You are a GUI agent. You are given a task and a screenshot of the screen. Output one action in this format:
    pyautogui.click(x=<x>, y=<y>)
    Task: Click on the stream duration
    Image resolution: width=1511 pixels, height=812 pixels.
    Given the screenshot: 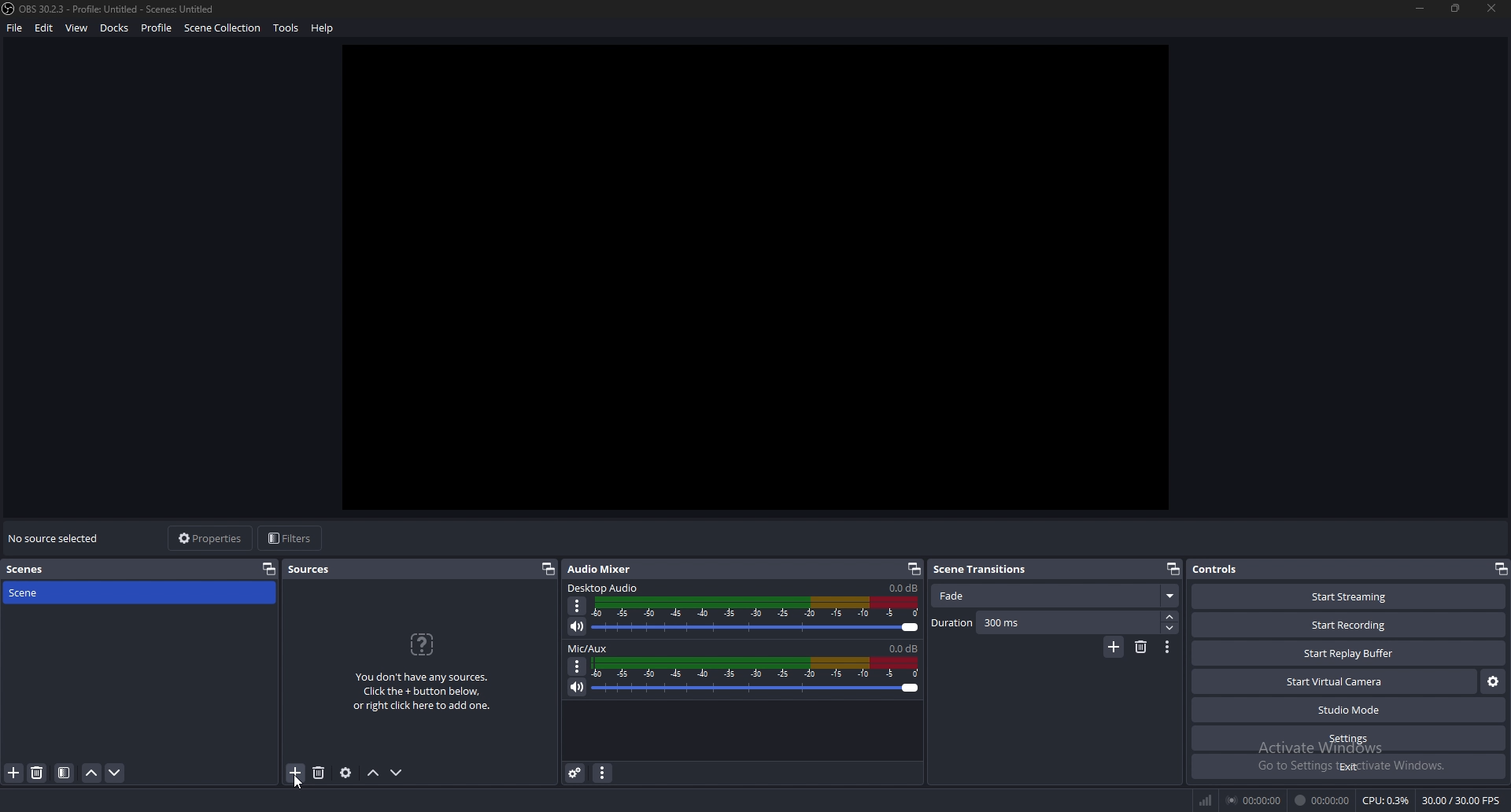 What is the action you would take?
    pyautogui.click(x=1253, y=801)
    